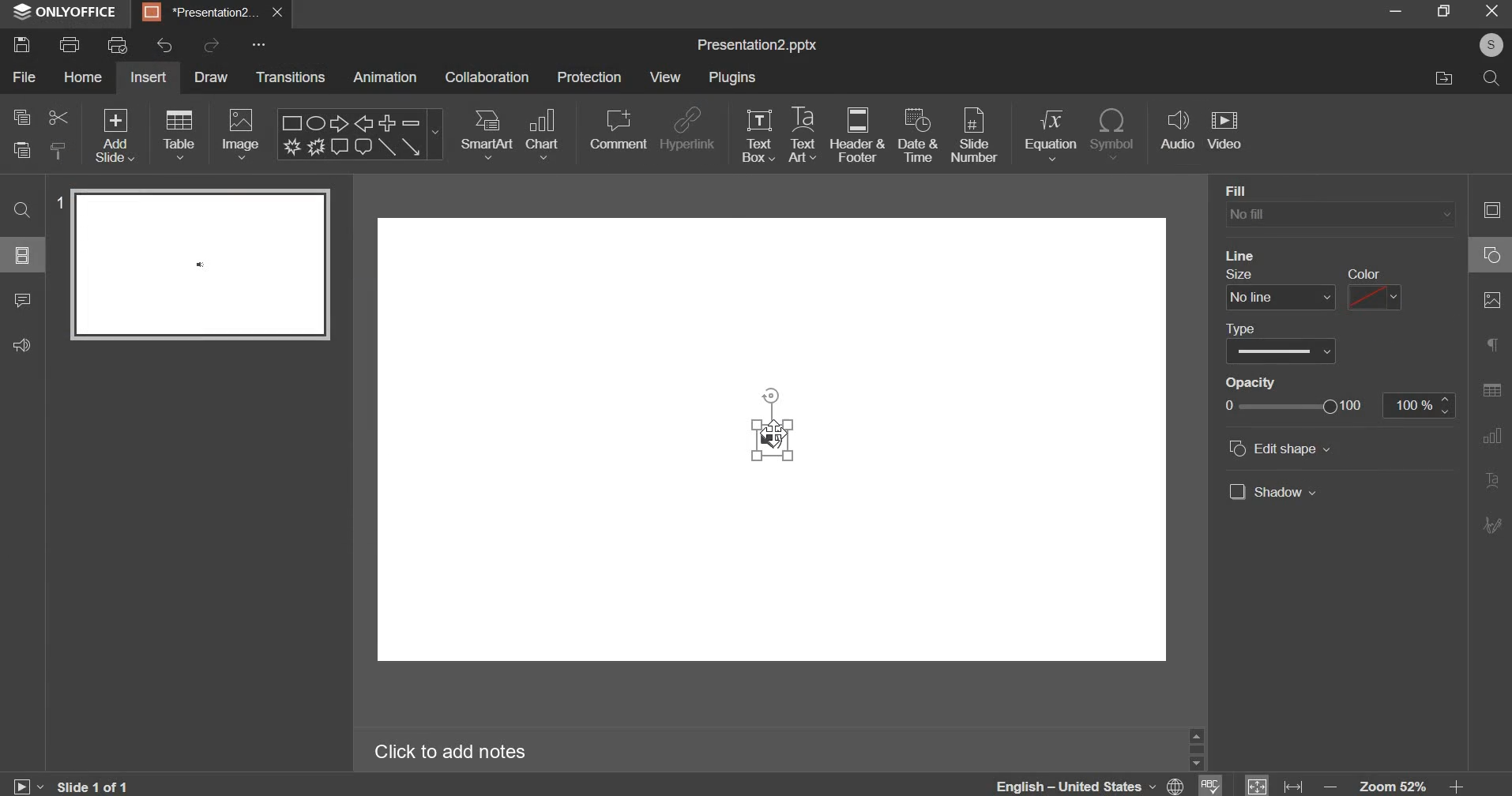 Image resolution: width=1512 pixels, height=796 pixels. Describe the element at coordinates (1280, 448) in the screenshot. I see `edit shape` at that location.